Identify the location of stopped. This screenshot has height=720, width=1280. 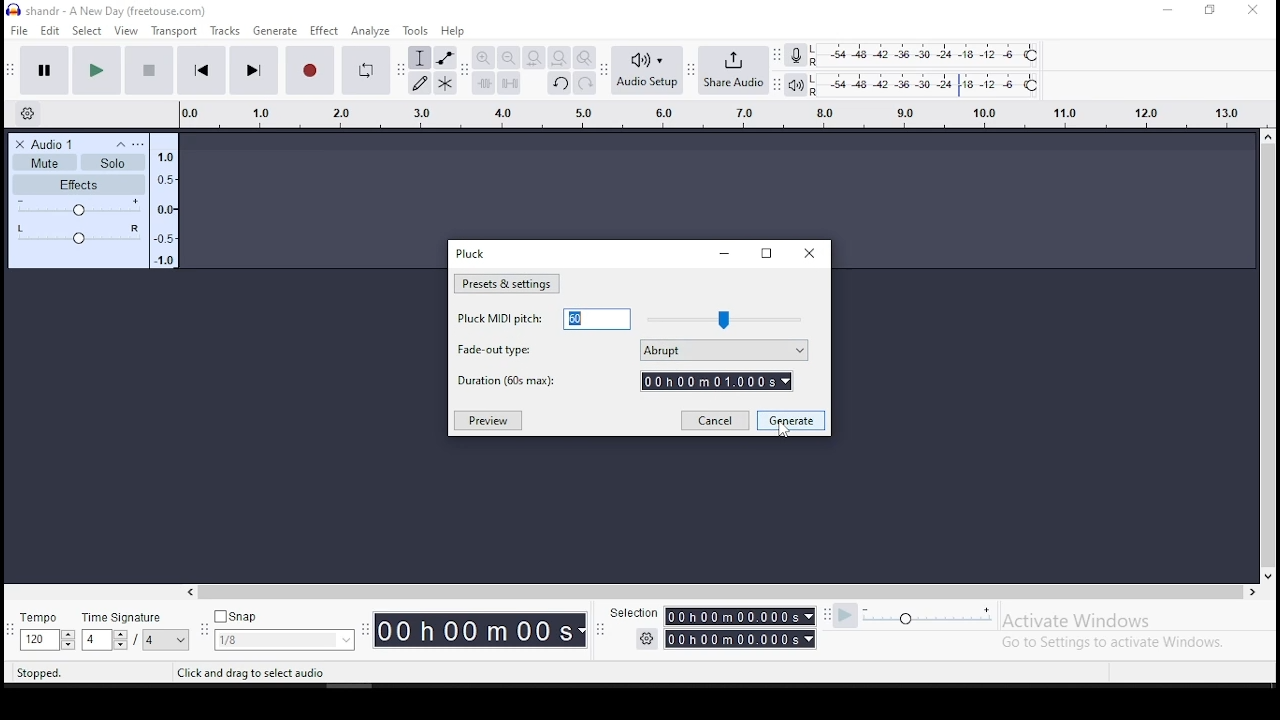
(41, 674).